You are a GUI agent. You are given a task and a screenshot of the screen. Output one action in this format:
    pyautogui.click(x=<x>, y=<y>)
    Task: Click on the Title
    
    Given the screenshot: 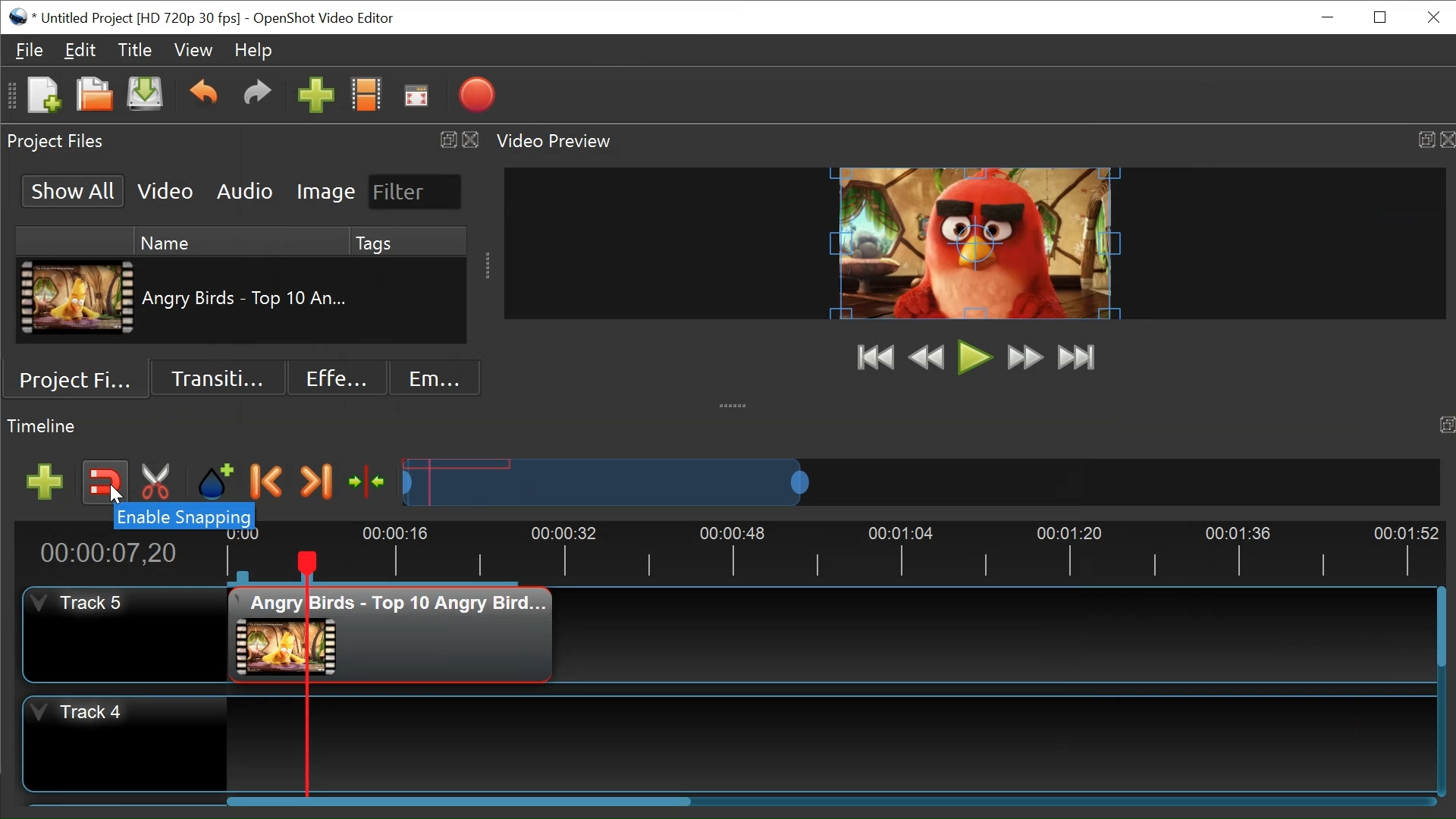 What is the action you would take?
    pyautogui.click(x=134, y=51)
    